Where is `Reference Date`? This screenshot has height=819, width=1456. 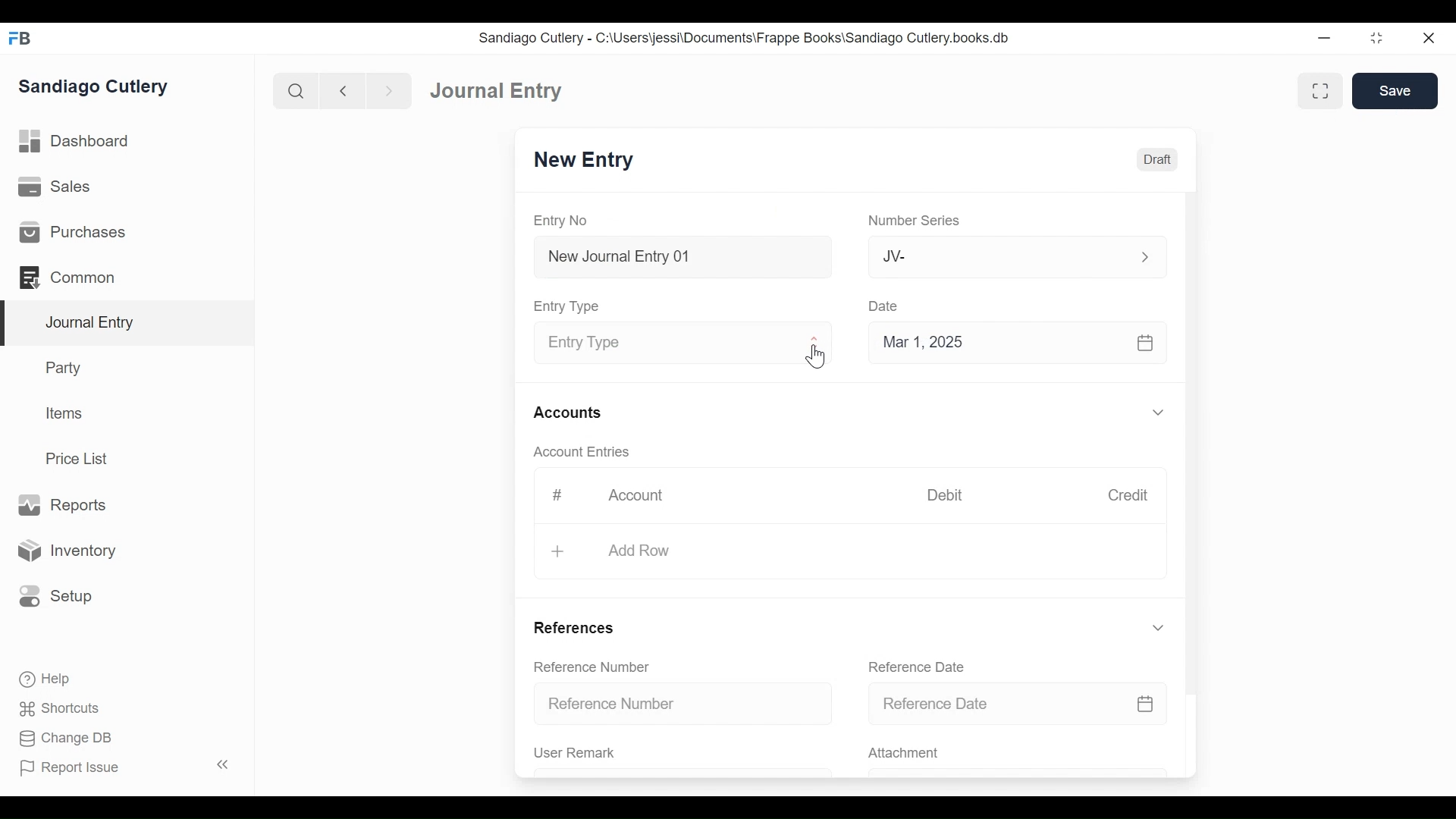 Reference Date is located at coordinates (907, 666).